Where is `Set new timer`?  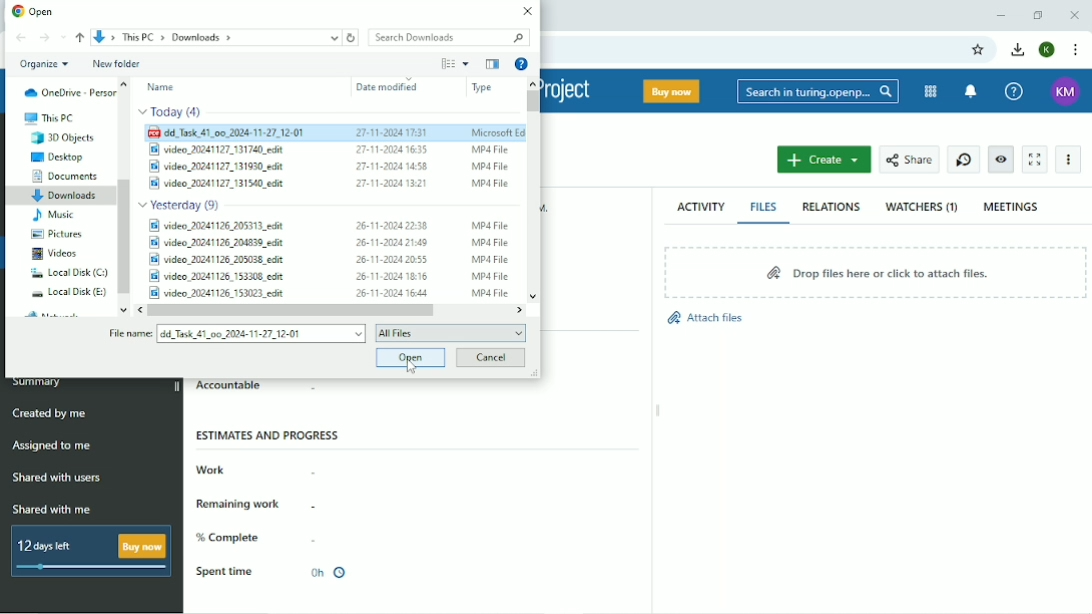 Set new timer is located at coordinates (962, 158).